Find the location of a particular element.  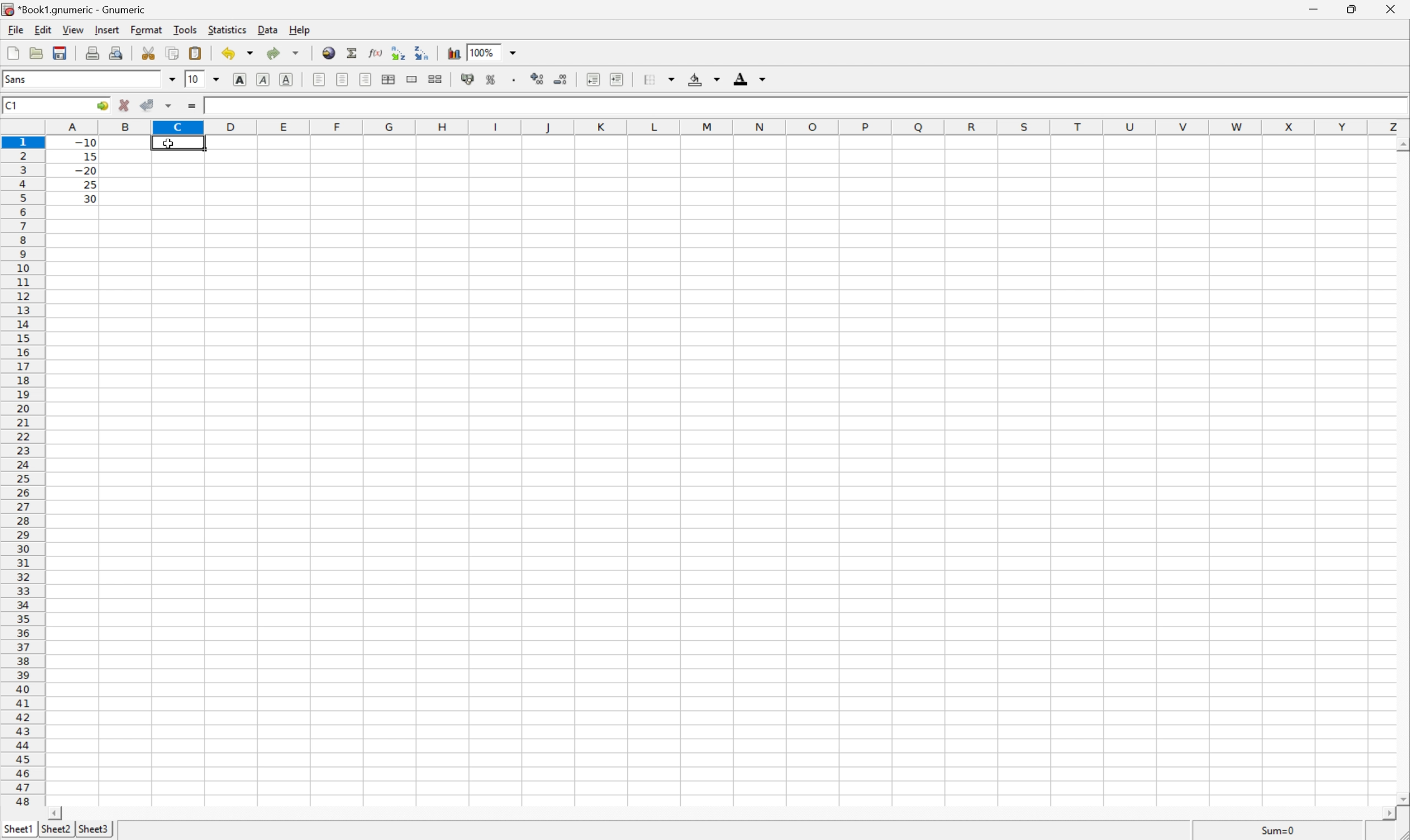

10 is located at coordinates (193, 79).